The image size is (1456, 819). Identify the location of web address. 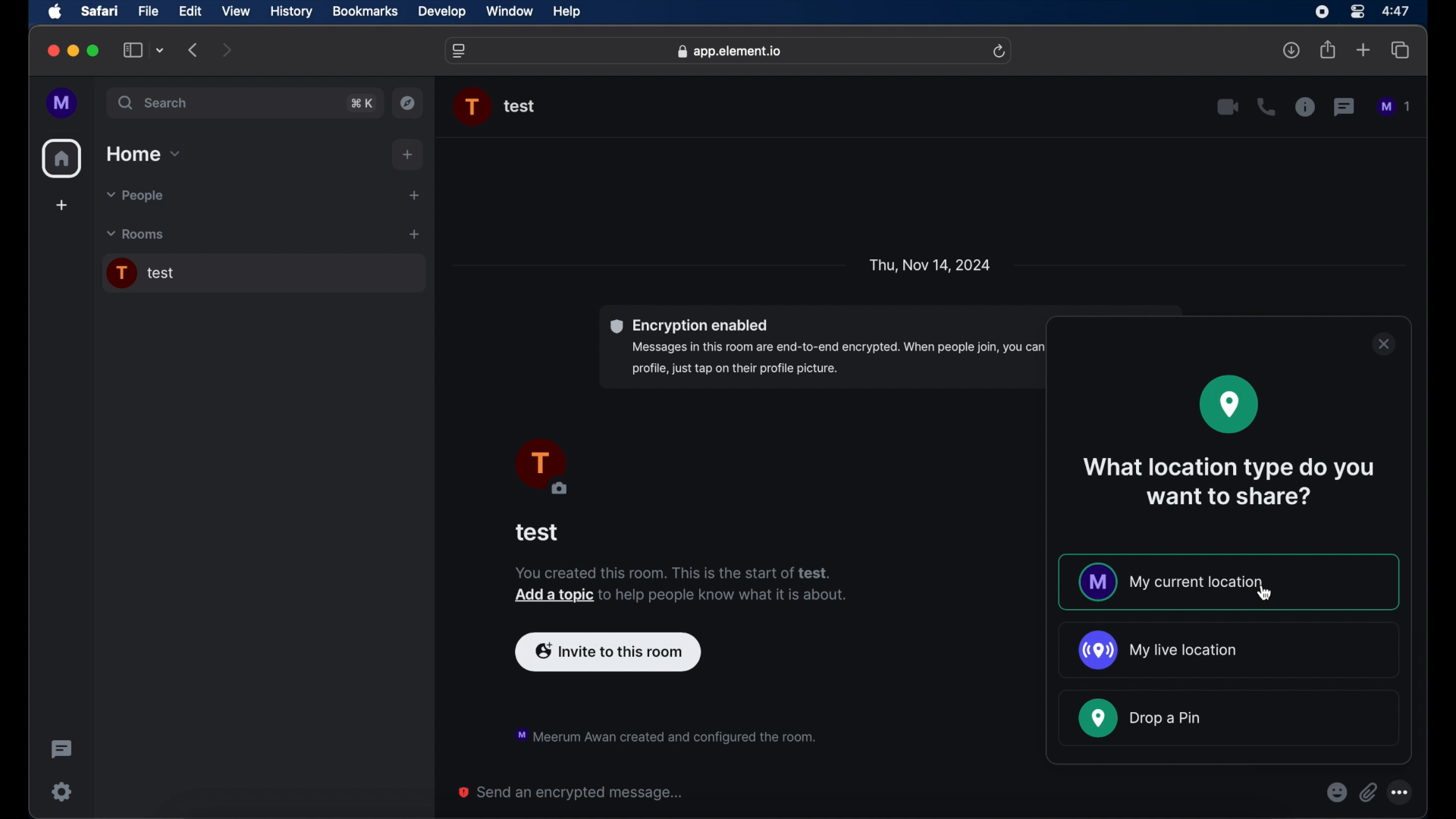
(730, 51).